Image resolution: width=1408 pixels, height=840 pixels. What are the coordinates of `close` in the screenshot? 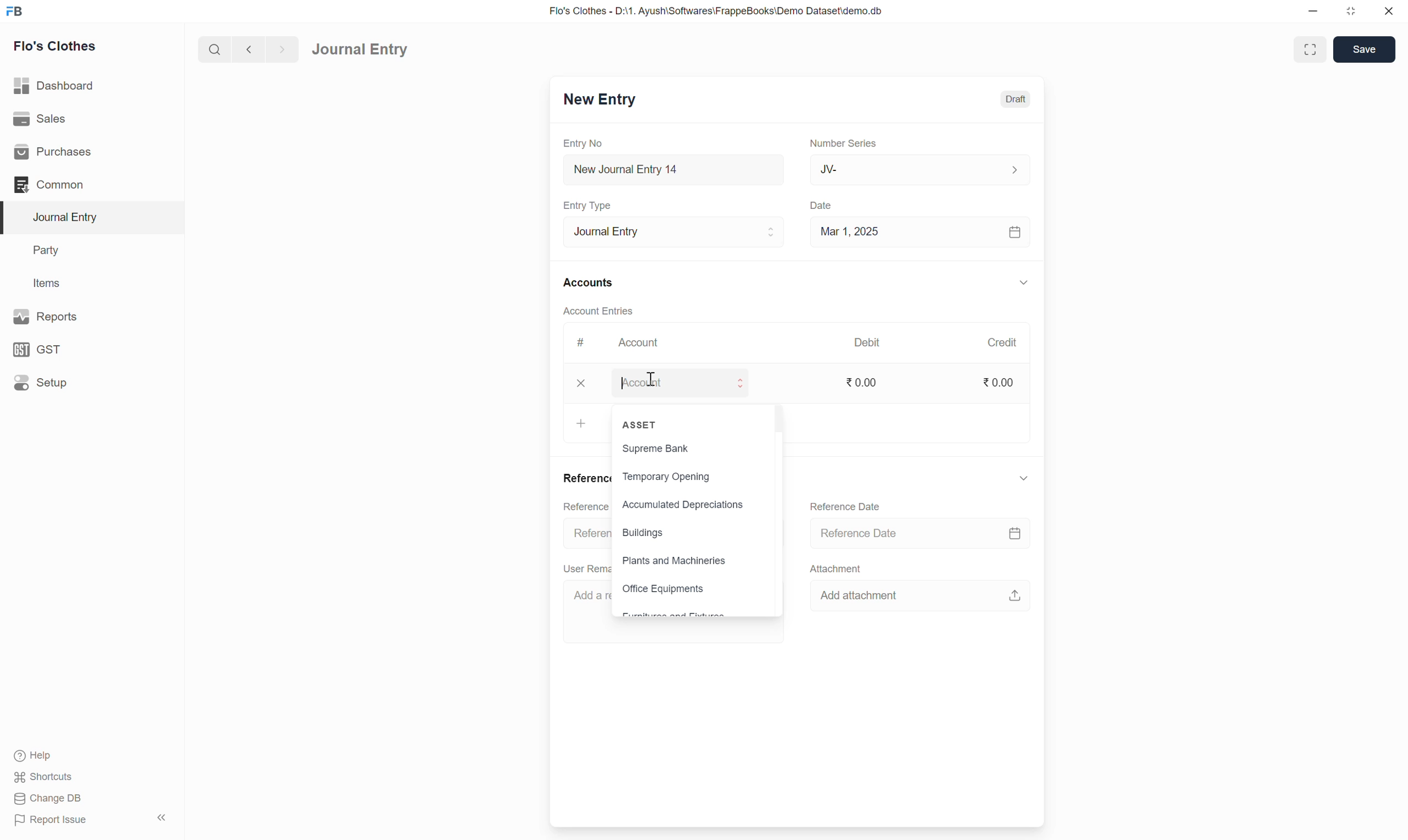 It's located at (1389, 11).